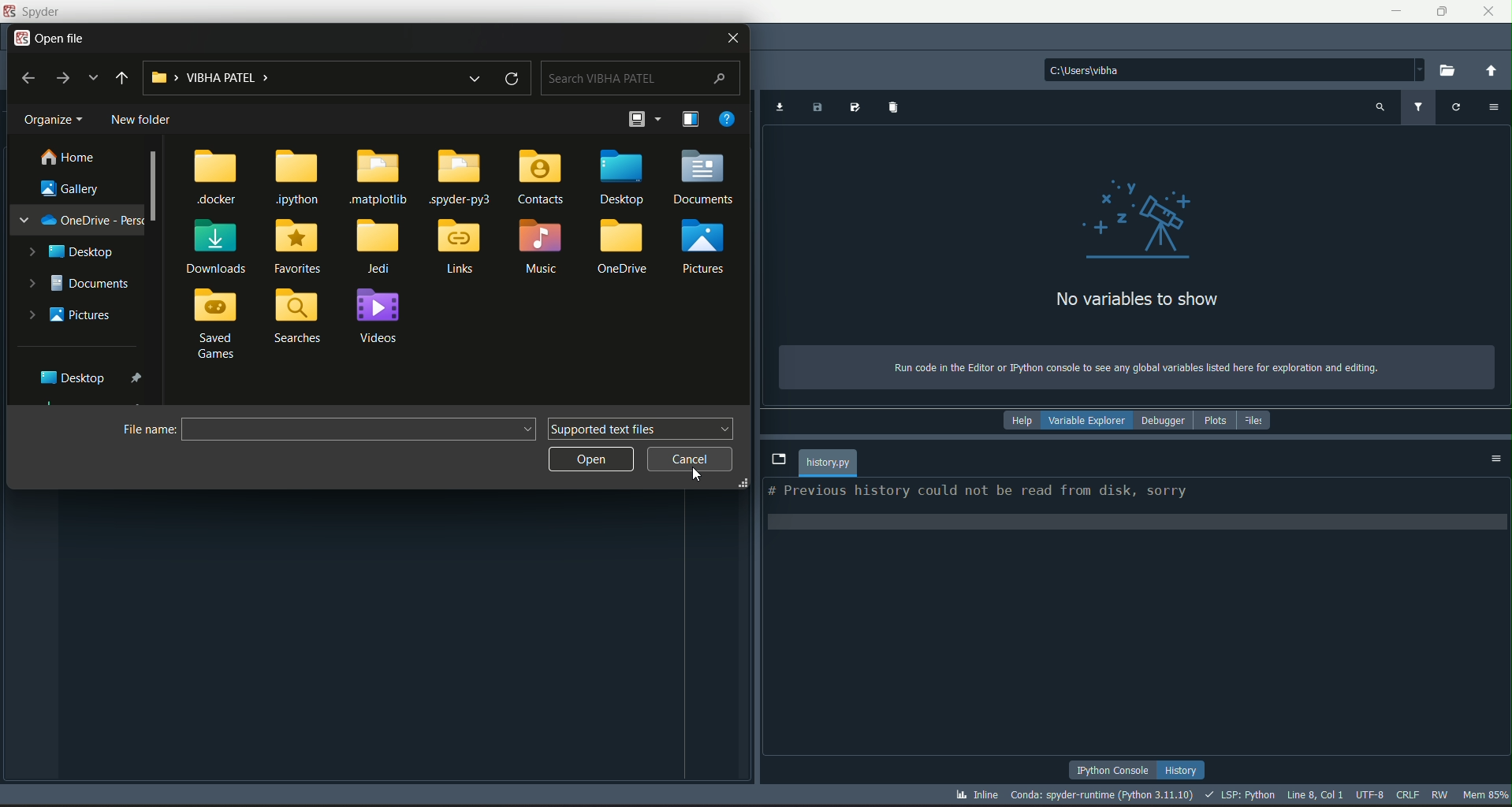 The height and width of the screenshot is (807, 1512). What do you see at coordinates (56, 120) in the screenshot?
I see `organize` at bounding box center [56, 120].